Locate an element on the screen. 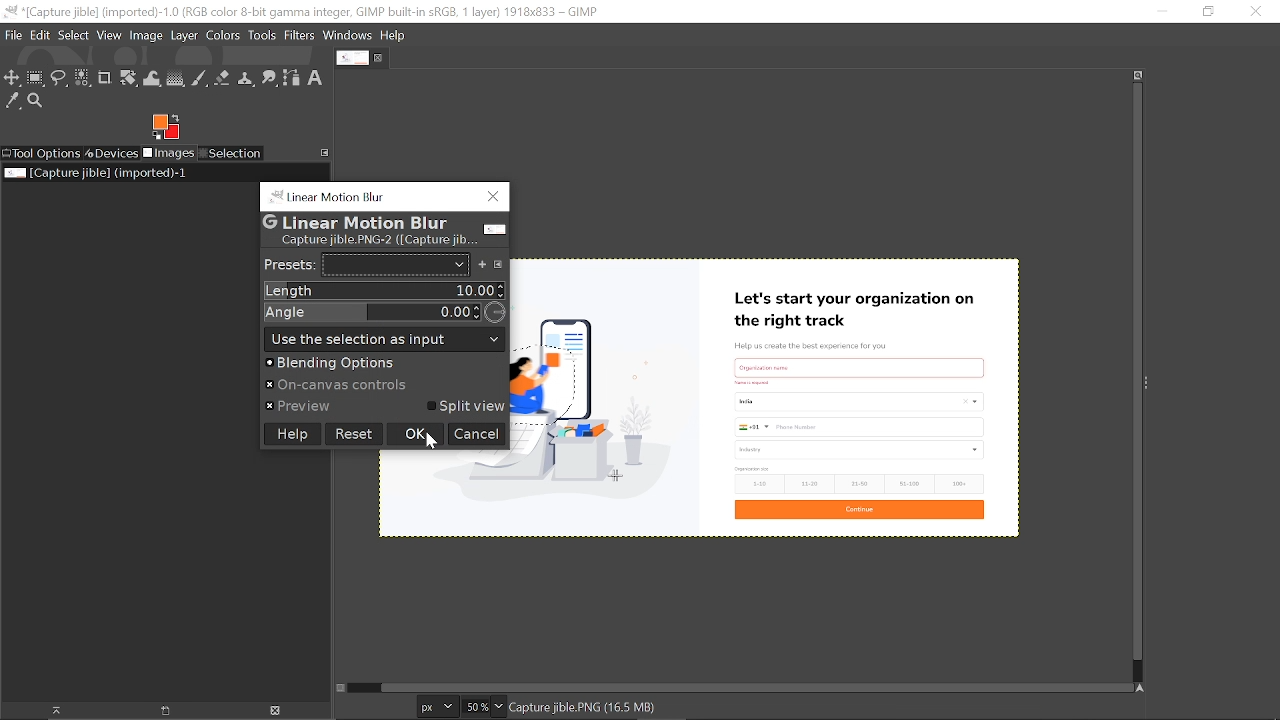 This screenshot has height=720, width=1280. Clone tool is located at coordinates (245, 80).